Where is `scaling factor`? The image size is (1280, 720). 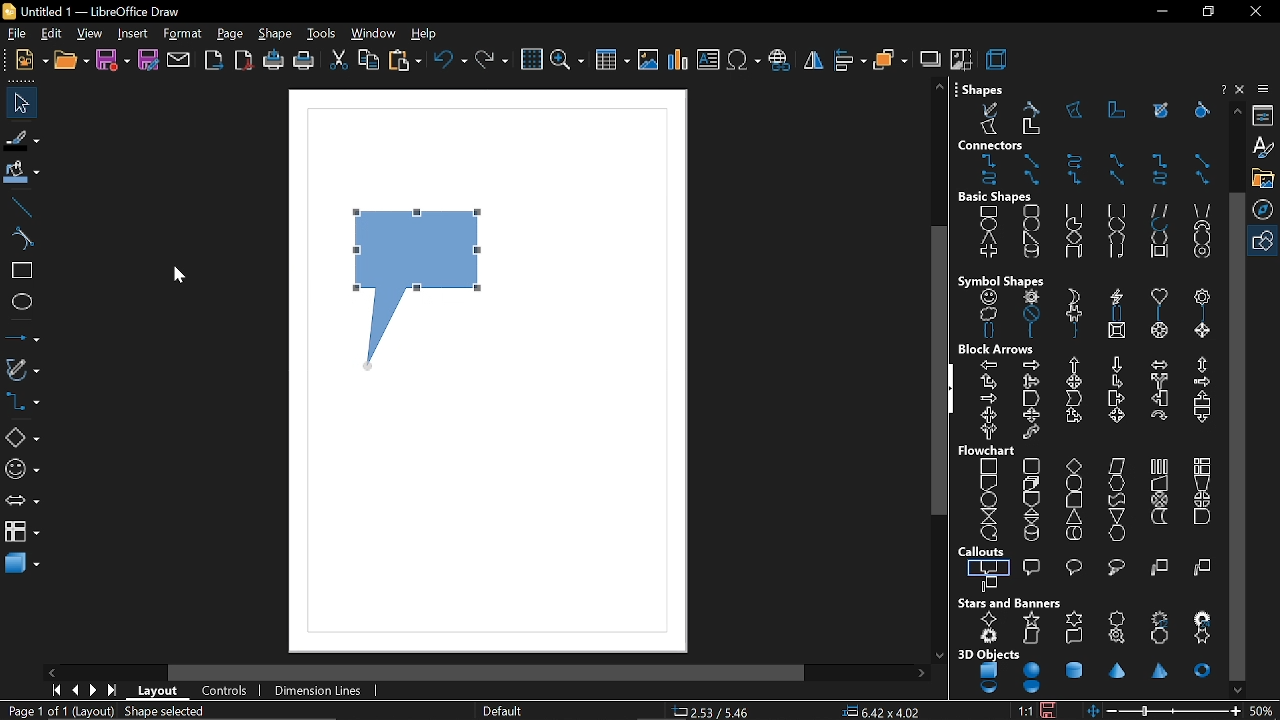
scaling factor is located at coordinates (1023, 711).